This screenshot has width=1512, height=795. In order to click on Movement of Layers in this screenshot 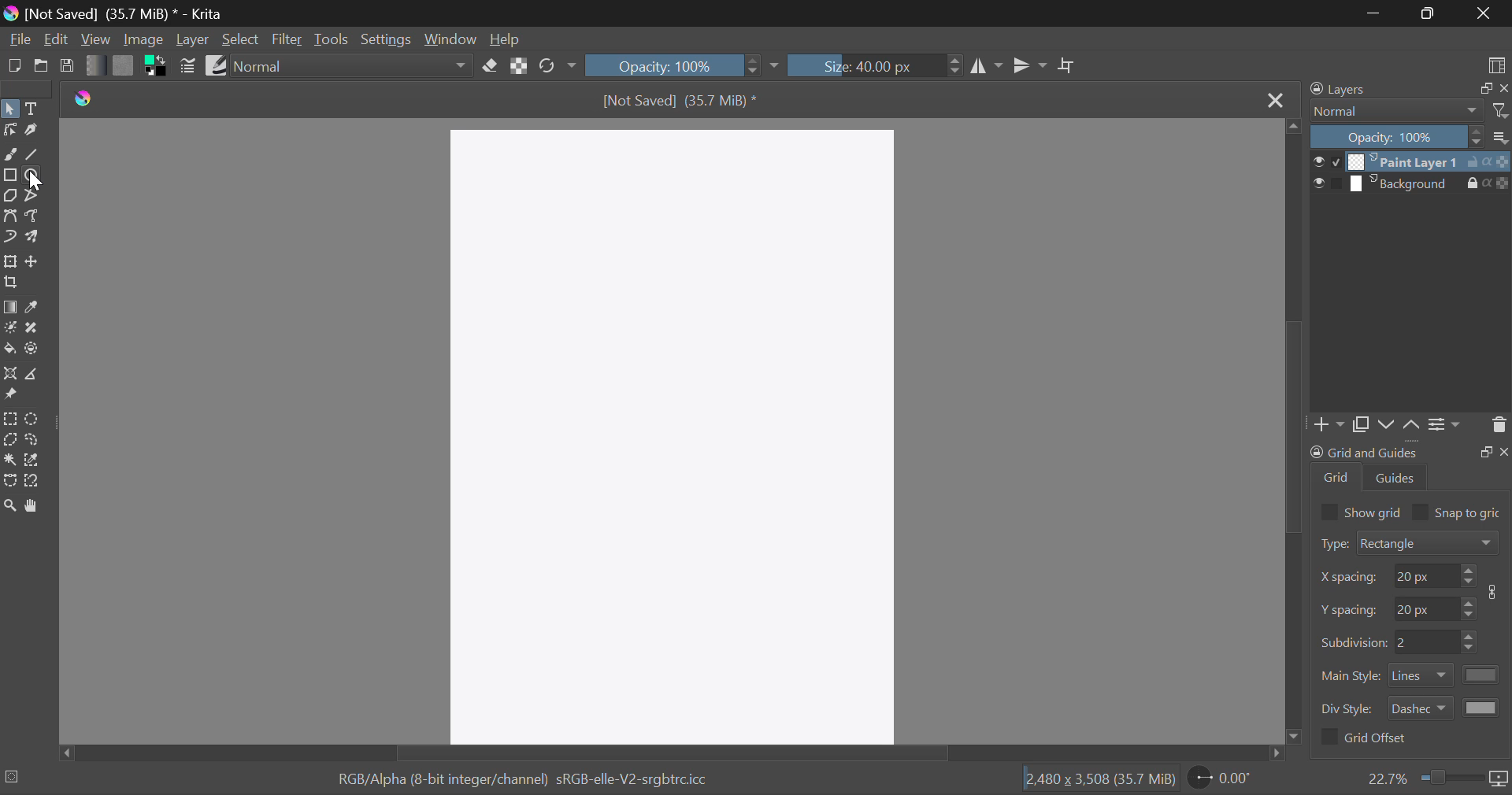, I will do `click(1402, 426)`.